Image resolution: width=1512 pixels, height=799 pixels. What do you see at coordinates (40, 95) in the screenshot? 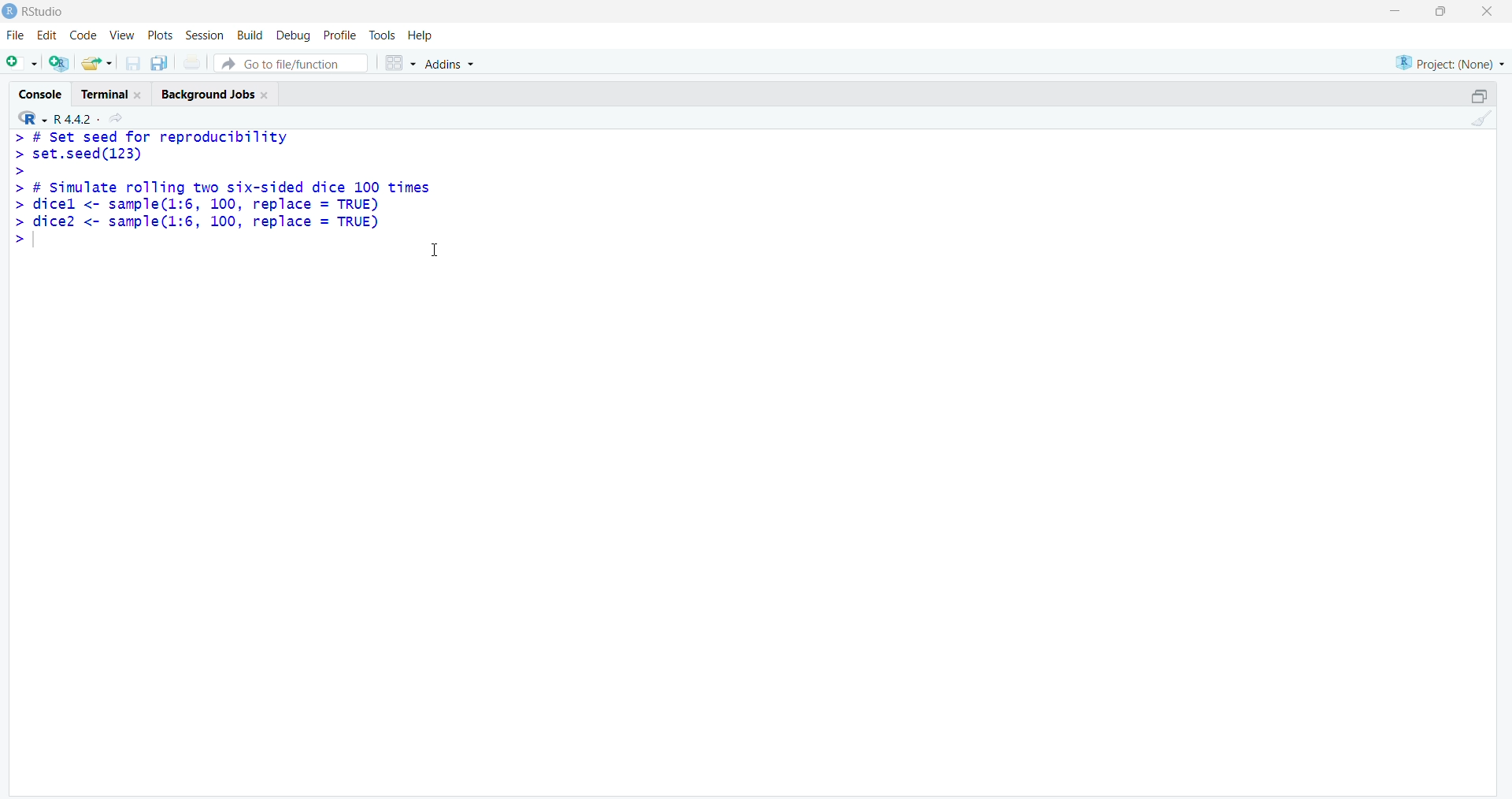
I see `cosole` at bounding box center [40, 95].